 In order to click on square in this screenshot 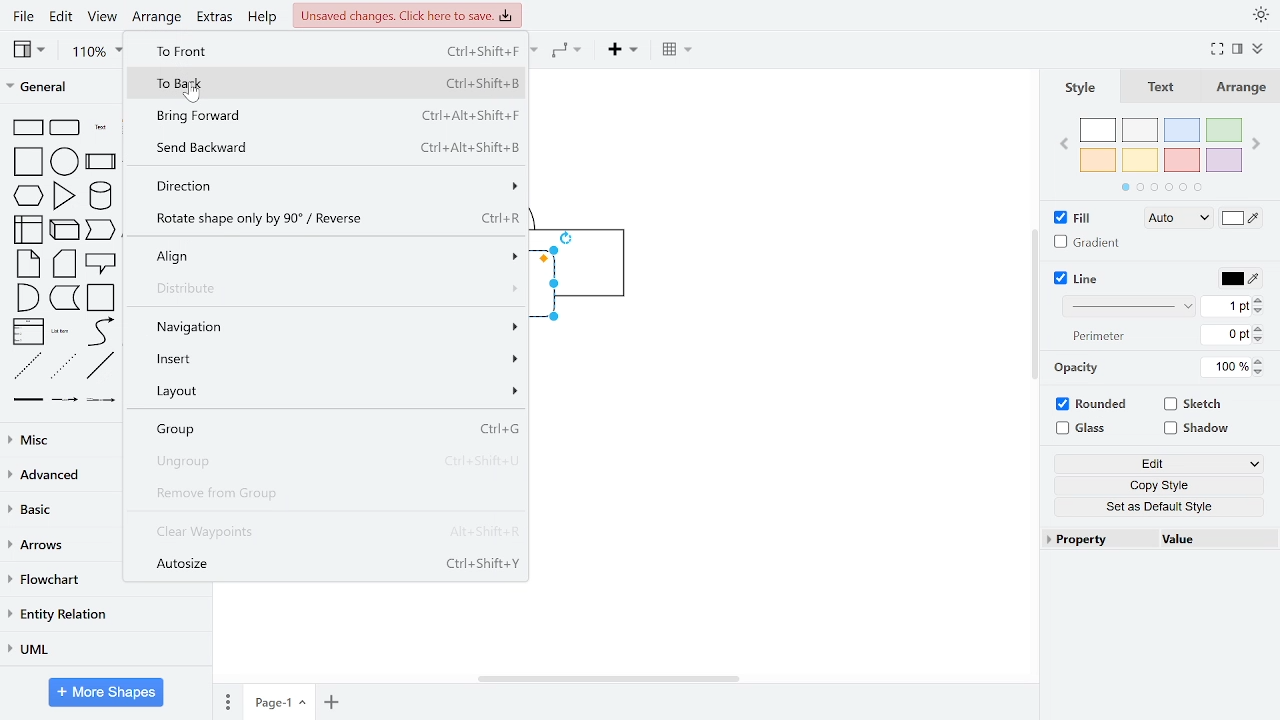, I will do `click(30, 162)`.